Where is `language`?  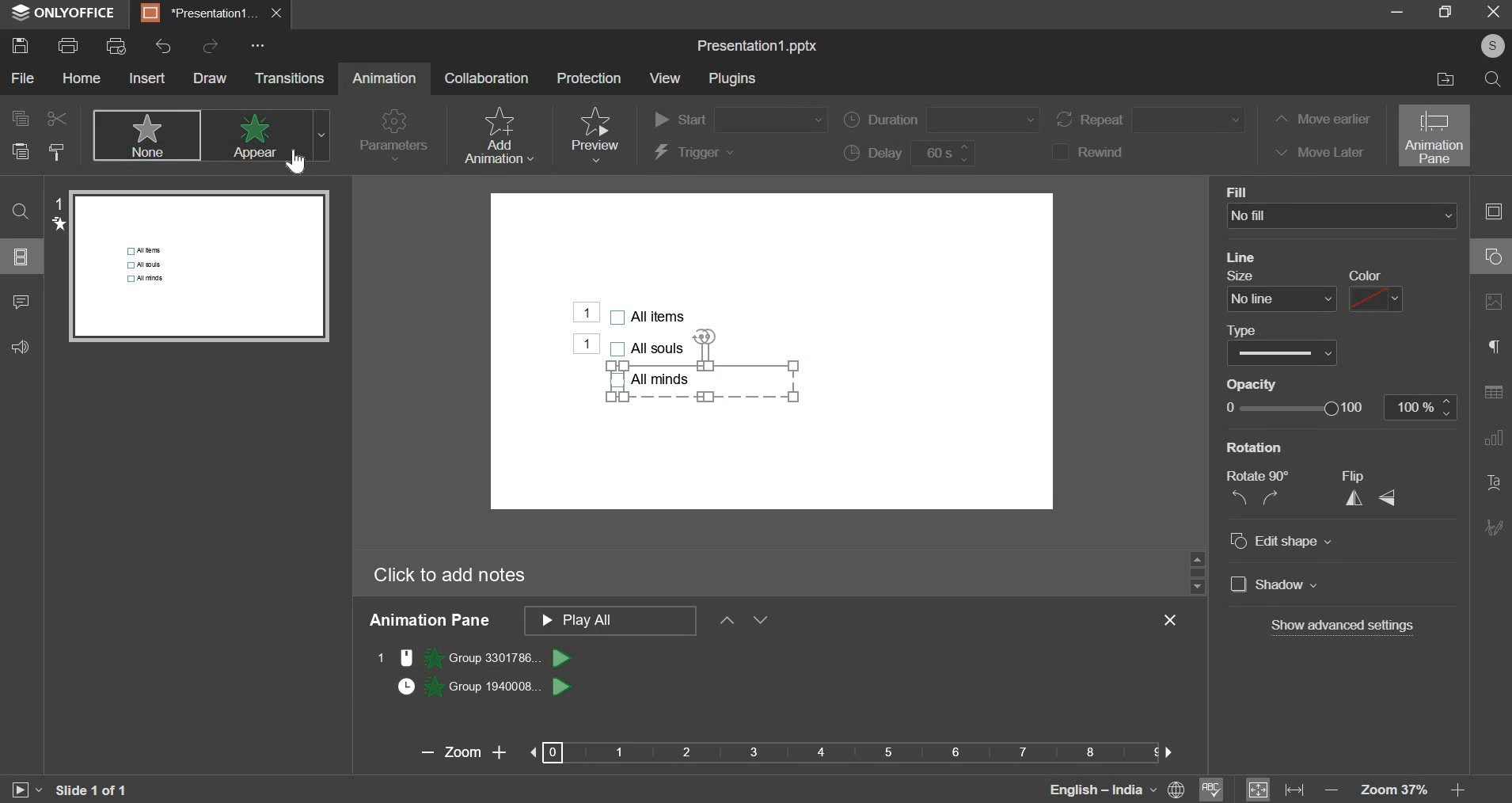
language is located at coordinates (1084, 788).